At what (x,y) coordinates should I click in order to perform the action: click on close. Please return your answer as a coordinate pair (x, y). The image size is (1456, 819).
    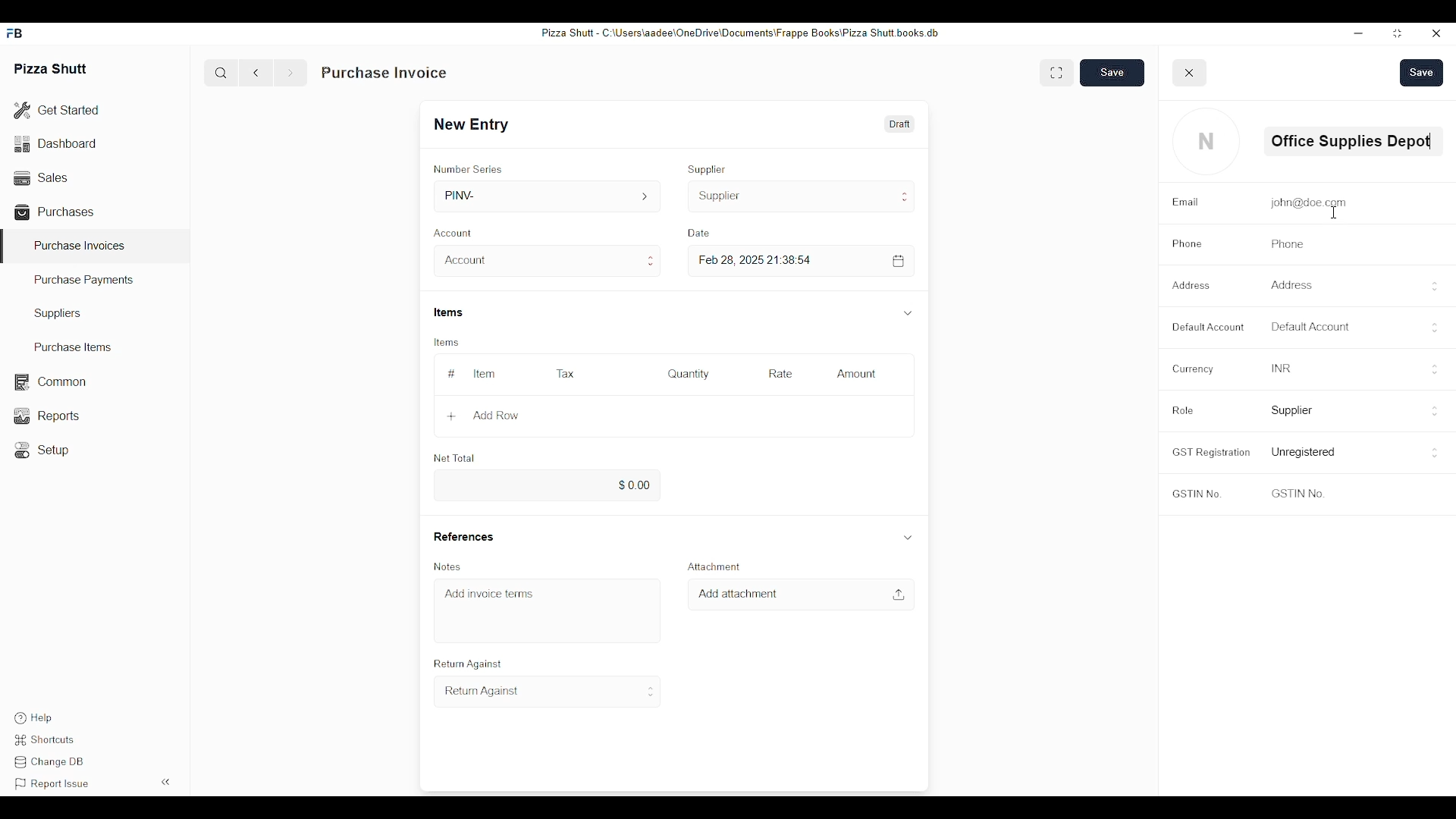
    Looking at the image, I should click on (1437, 34).